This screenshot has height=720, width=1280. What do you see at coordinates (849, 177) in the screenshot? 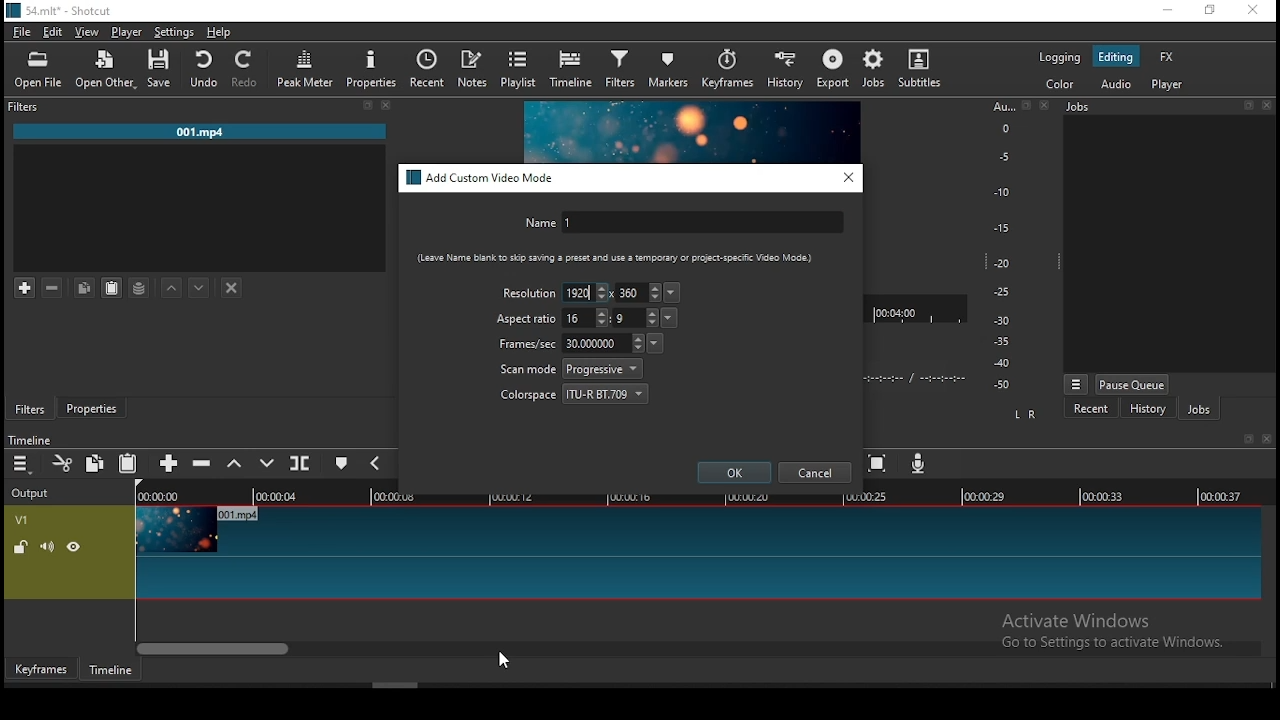
I see `close window` at bounding box center [849, 177].